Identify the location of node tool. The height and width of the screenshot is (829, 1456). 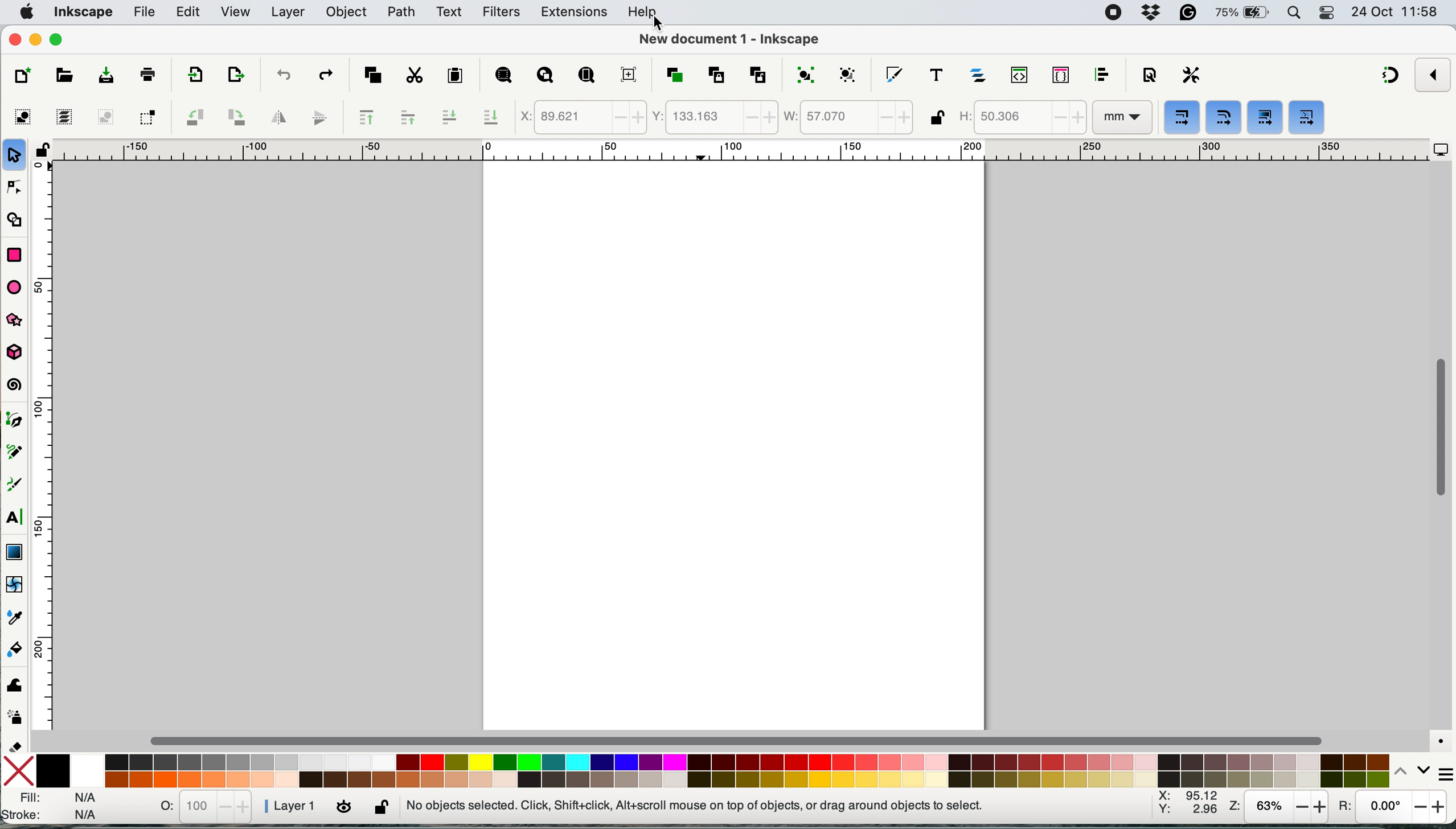
(17, 192).